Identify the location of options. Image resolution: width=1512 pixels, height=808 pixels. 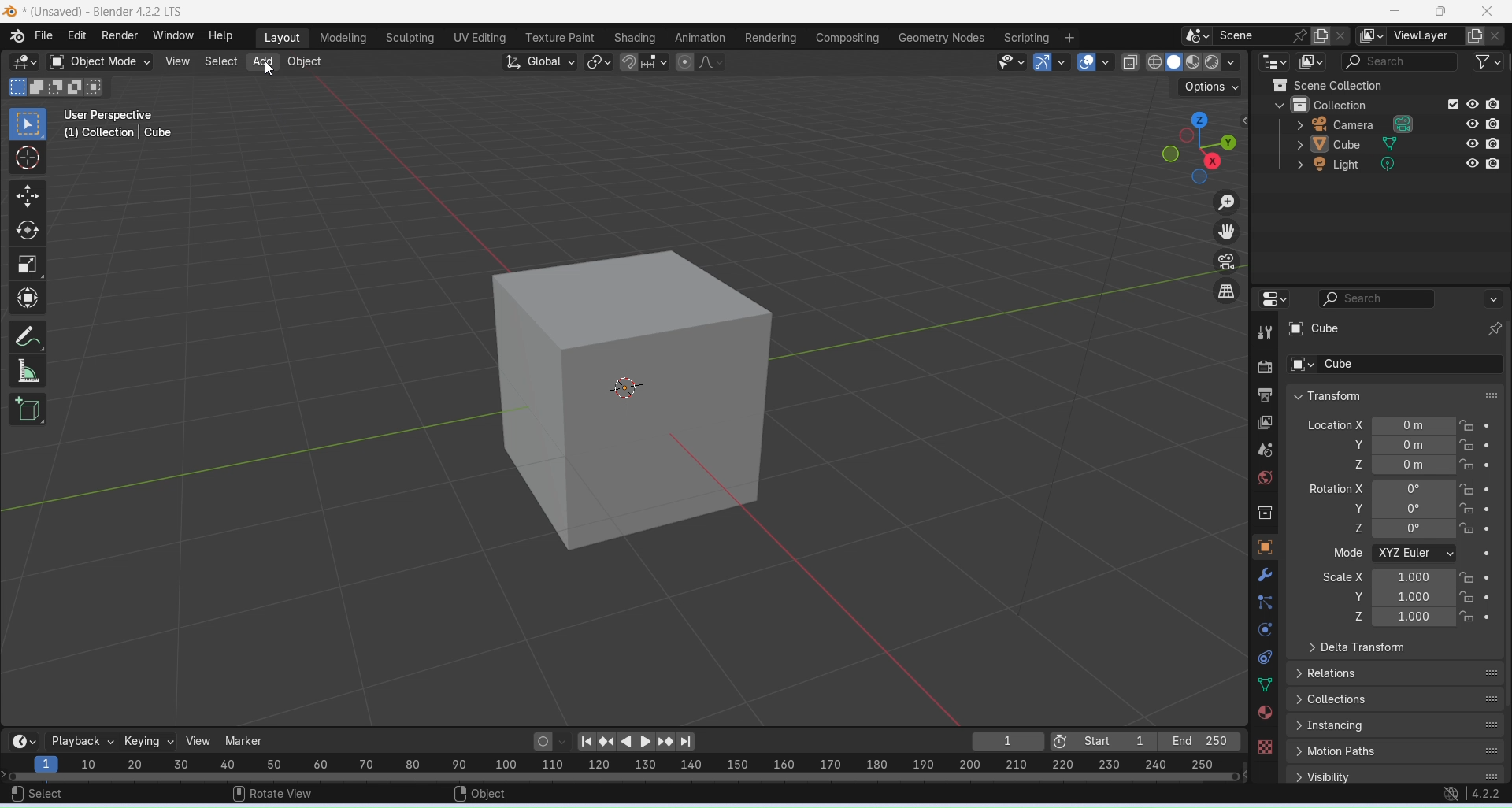
(1197, 36).